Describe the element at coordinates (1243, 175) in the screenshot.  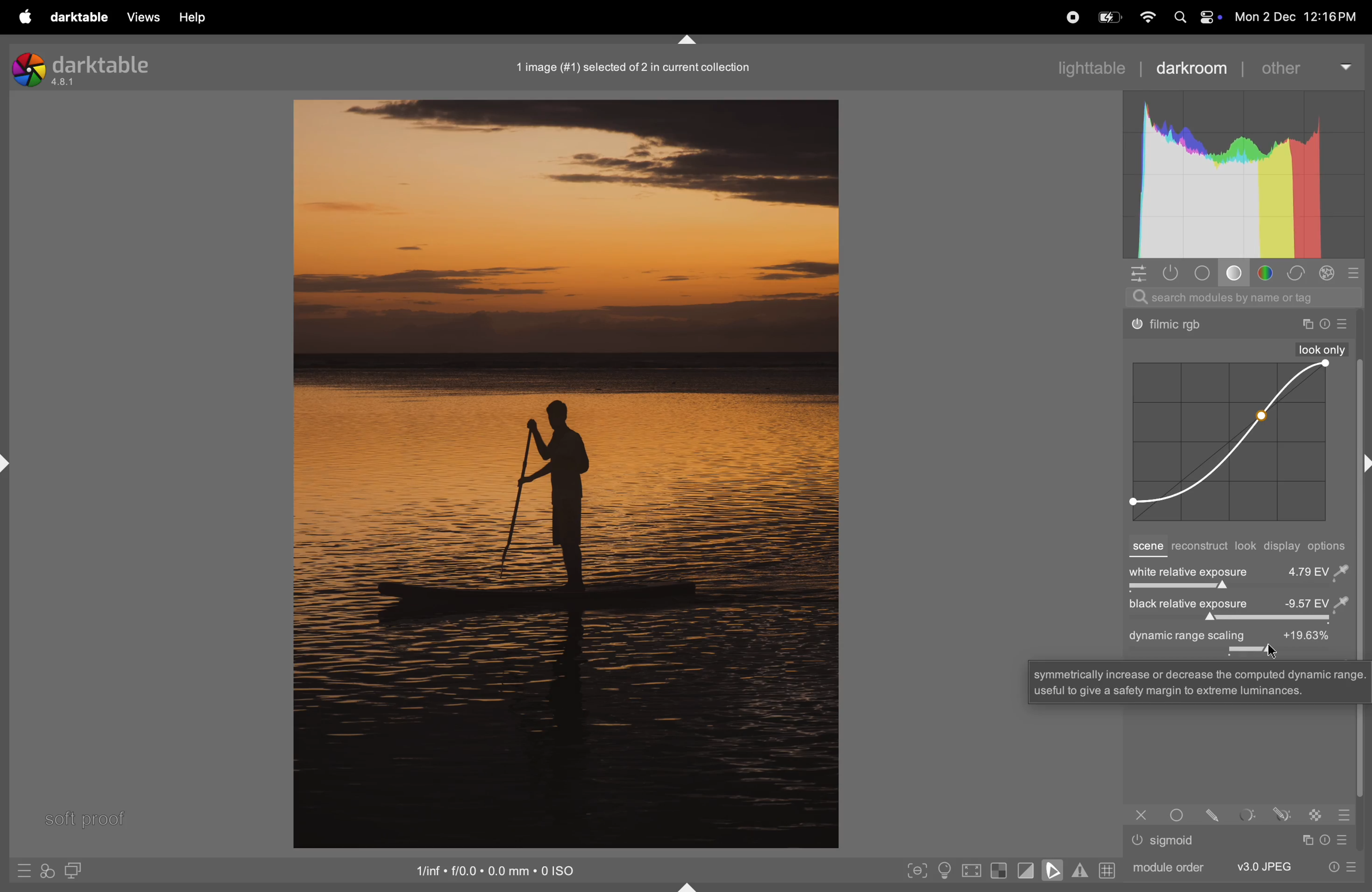
I see `histogram` at that location.